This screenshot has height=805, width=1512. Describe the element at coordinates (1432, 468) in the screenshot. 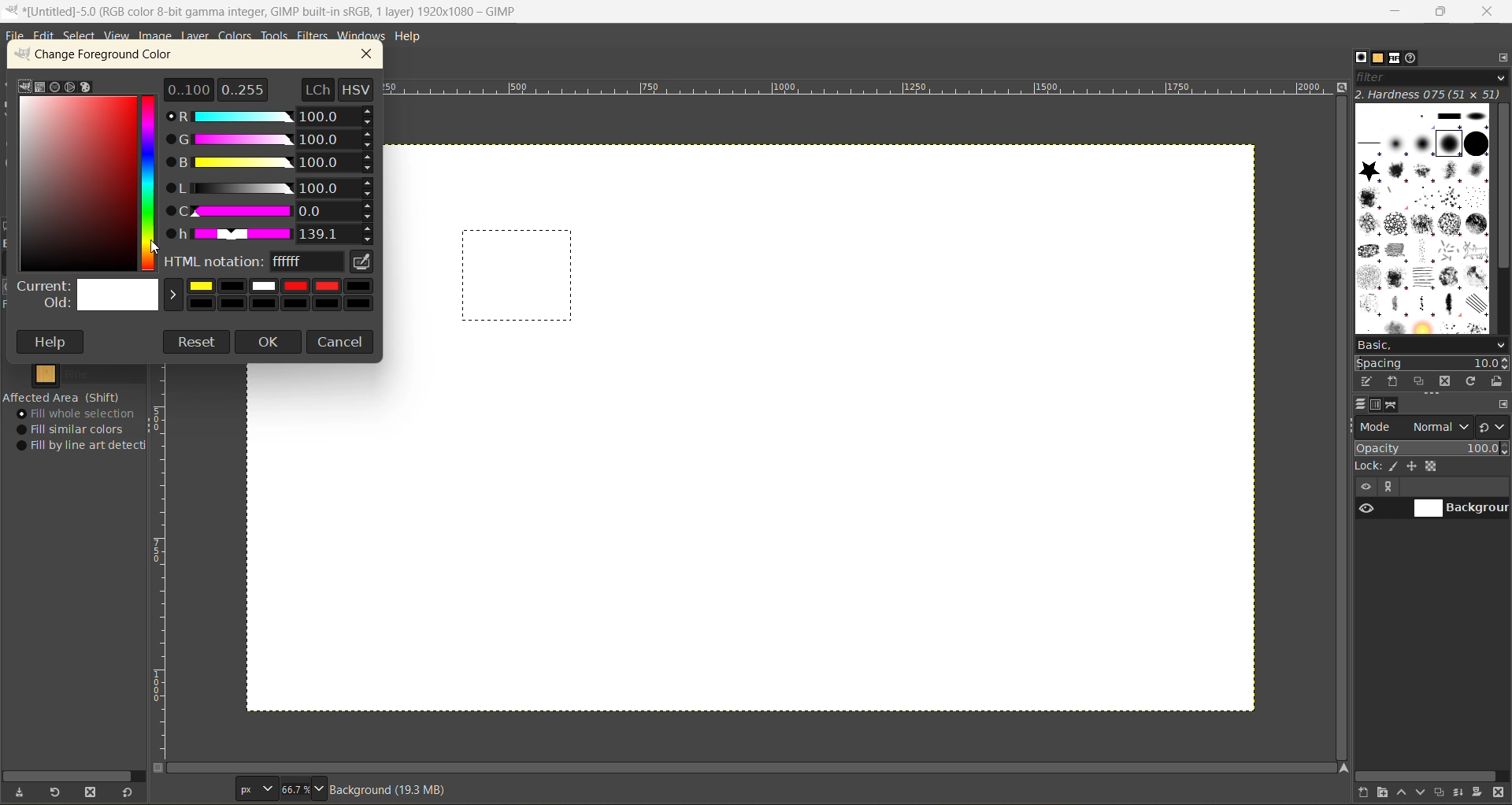

I see `lock pixel, position, alpha` at that location.